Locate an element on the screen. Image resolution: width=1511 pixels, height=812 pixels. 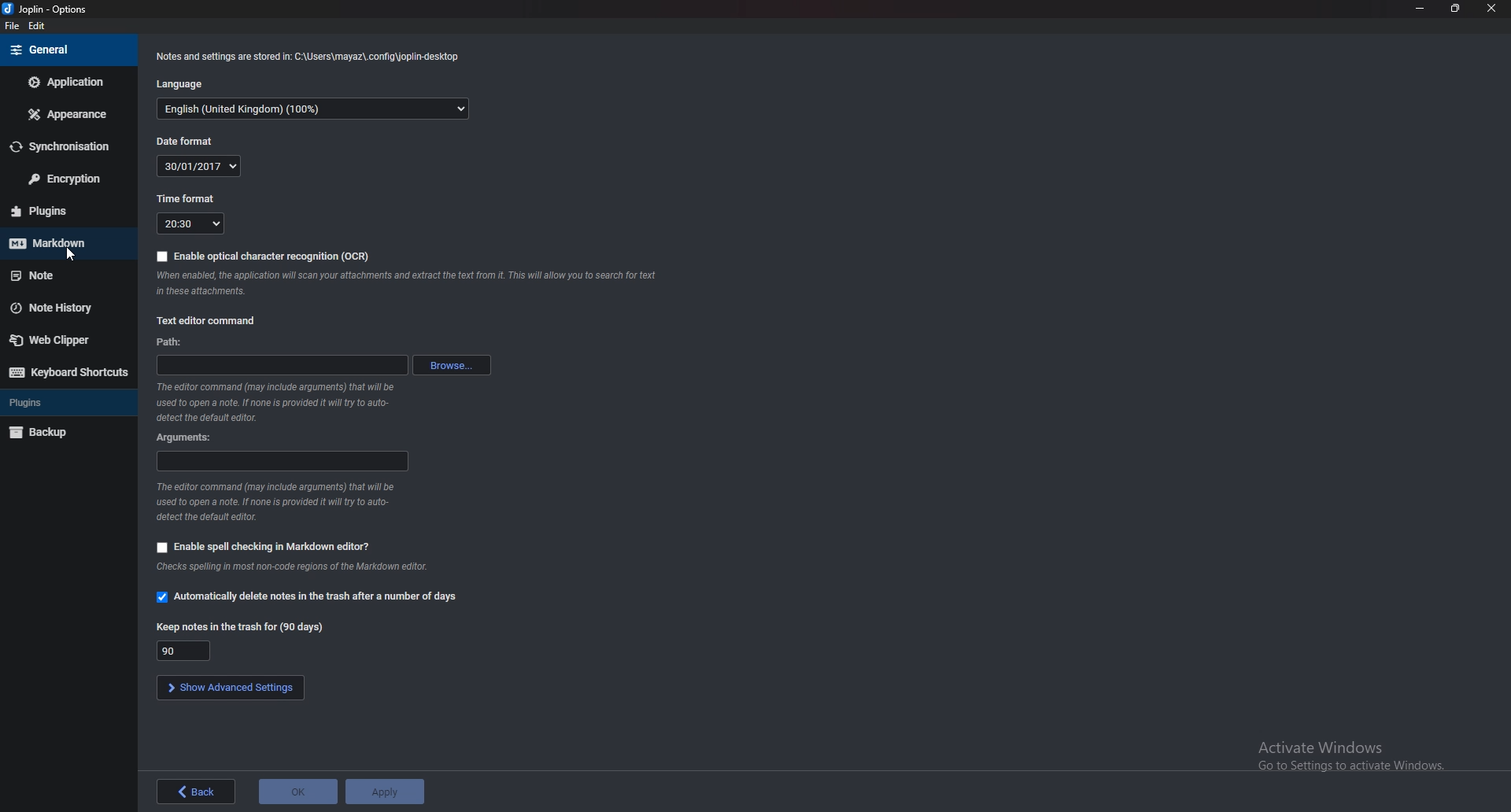
Synchronization is located at coordinates (68, 146).